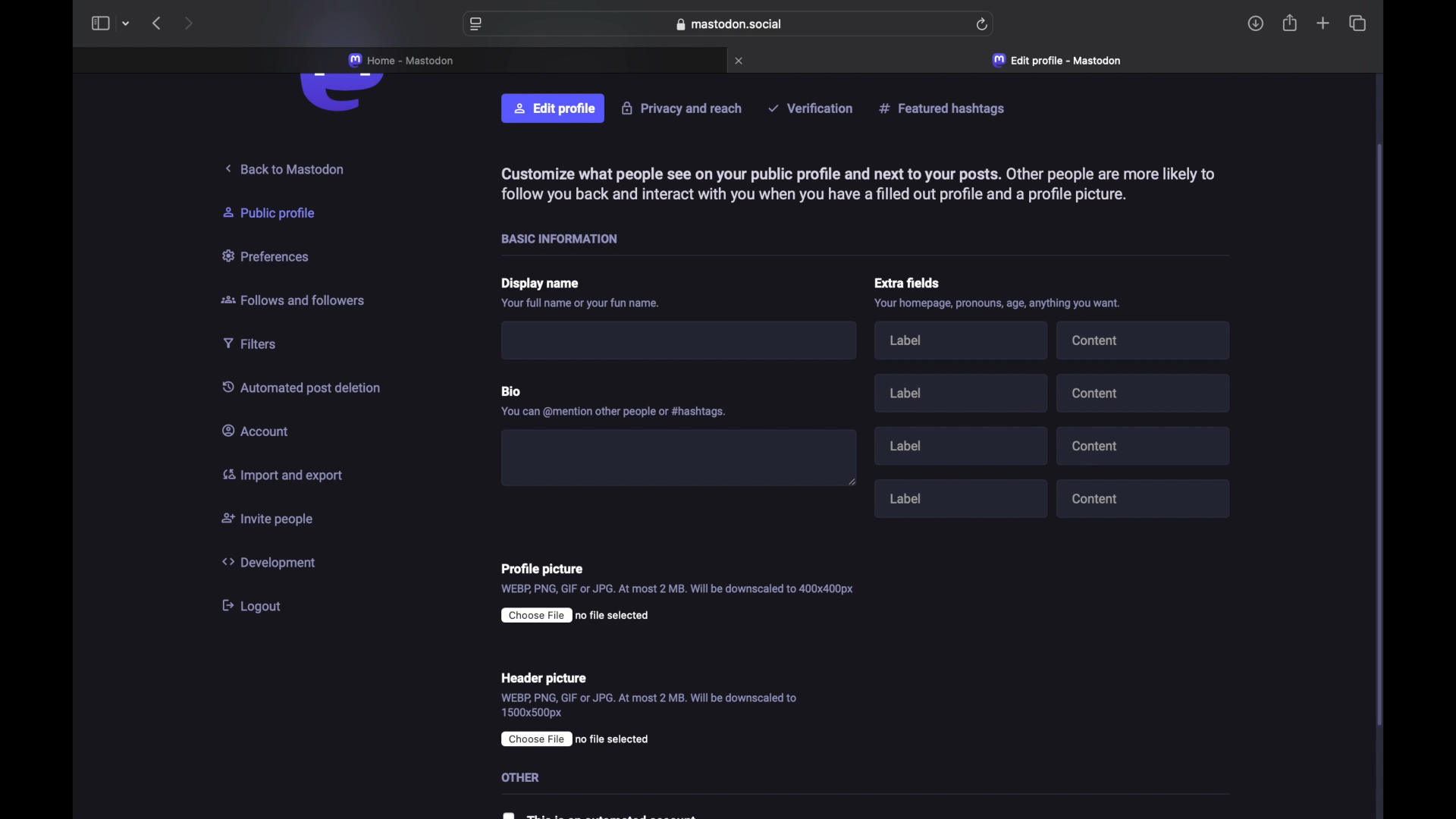 The width and height of the screenshot is (1456, 819). Describe the element at coordinates (813, 108) in the screenshot. I see `verification` at that location.